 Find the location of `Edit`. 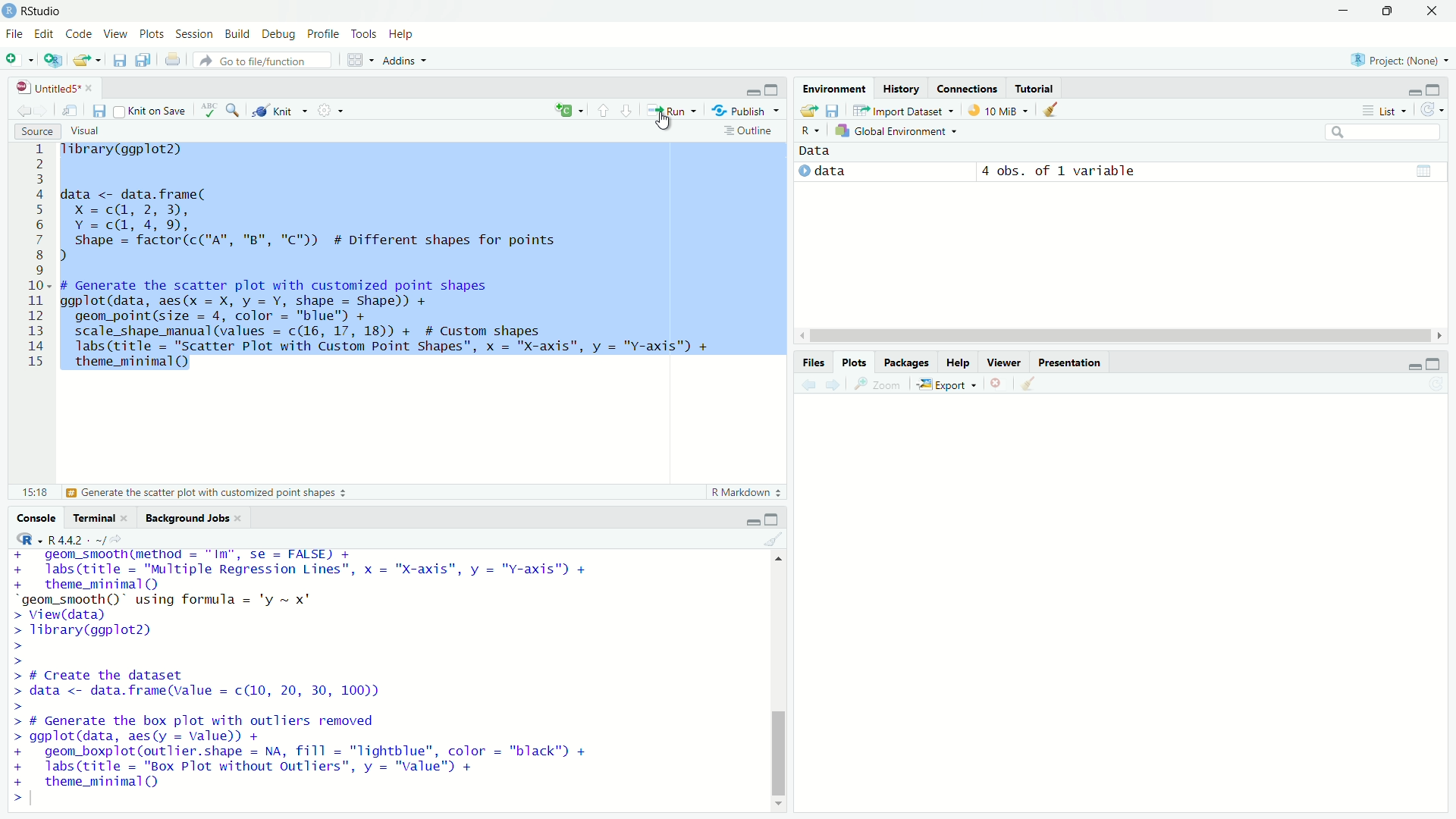

Edit is located at coordinates (43, 33).